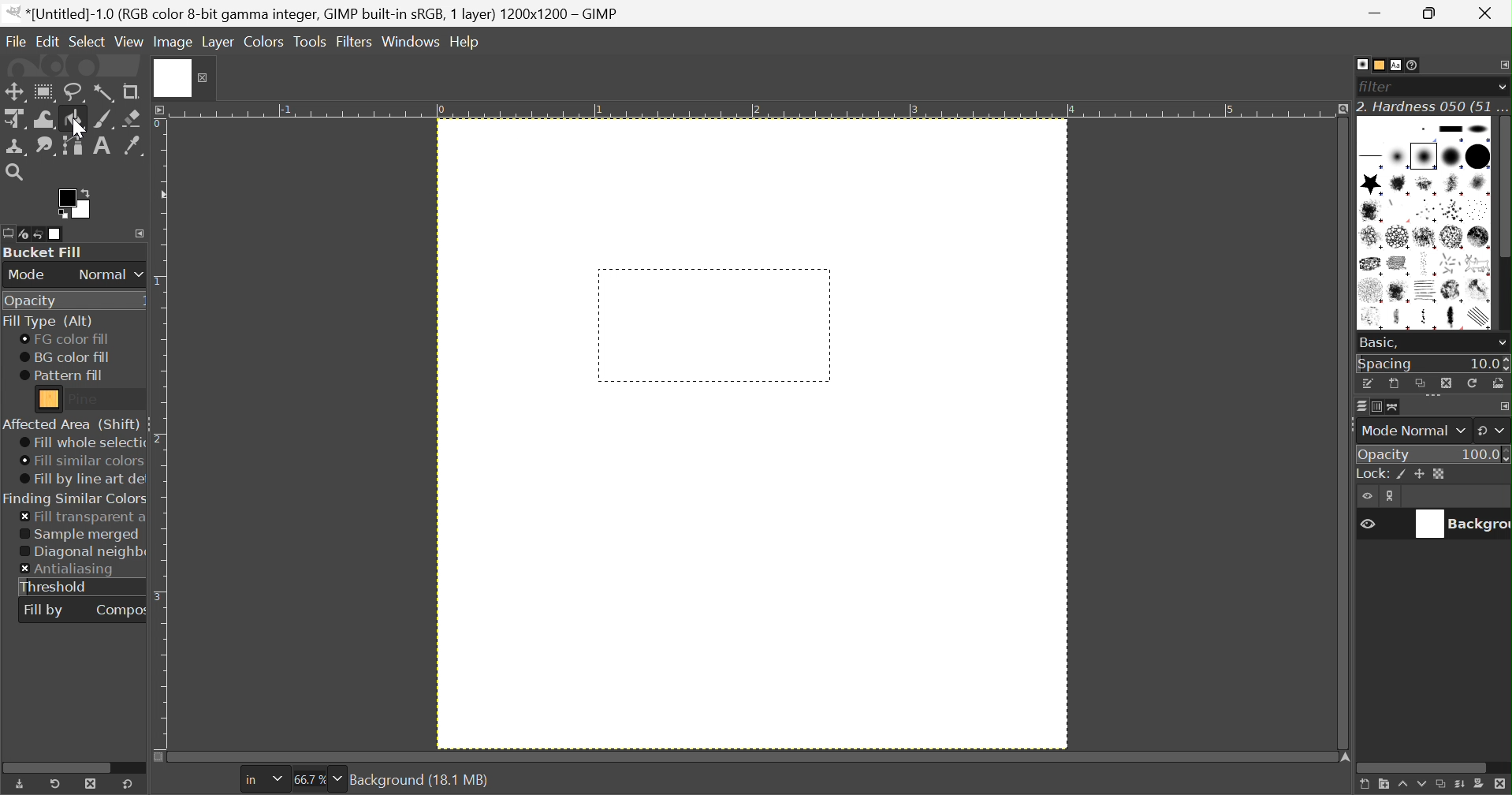  What do you see at coordinates (1398, 157) in the screenshot?
I see `Hardness 025` at bounding box center [1398, 157].